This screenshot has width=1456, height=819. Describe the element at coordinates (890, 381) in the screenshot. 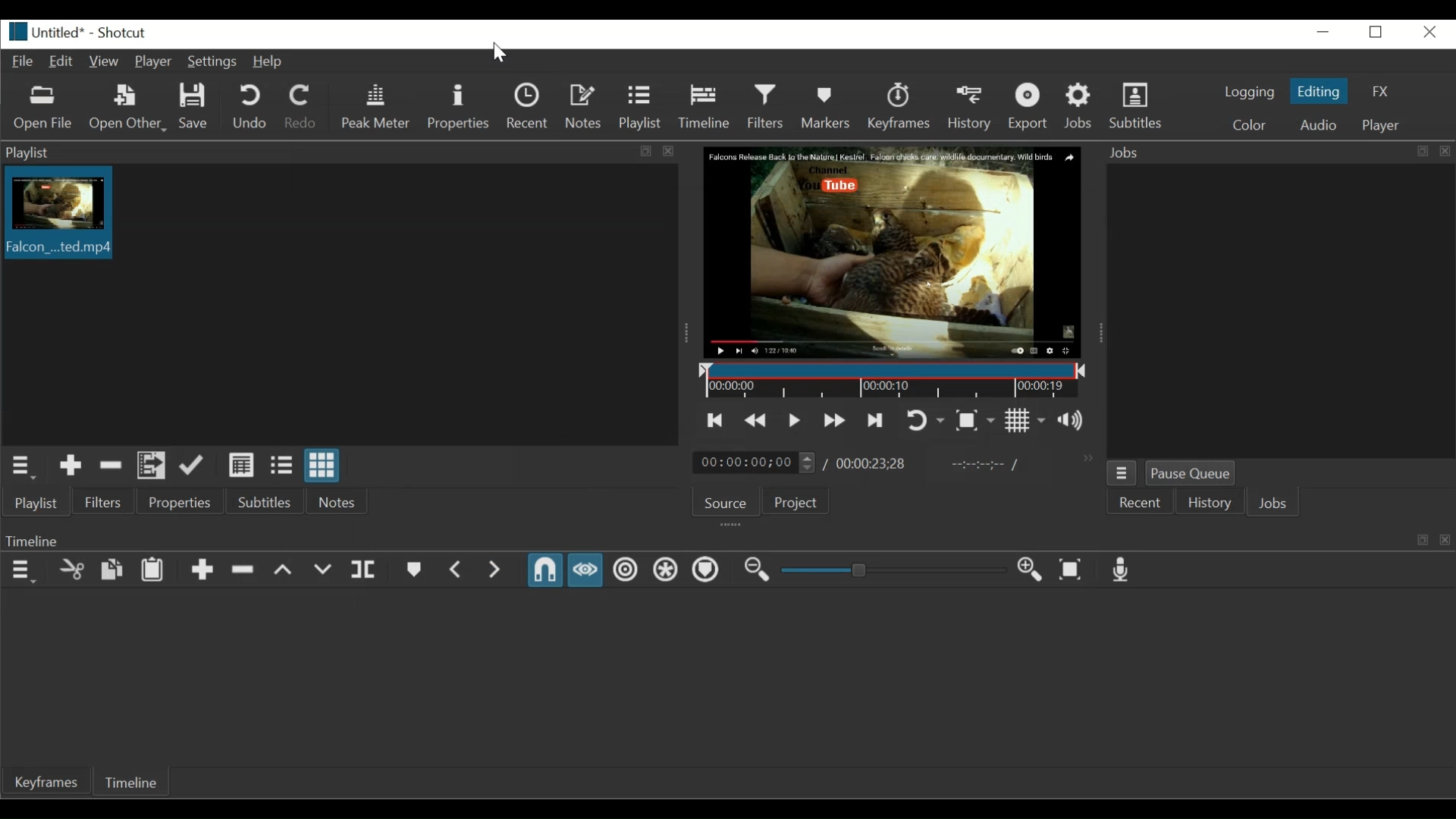

I see `Timeline` at that location.